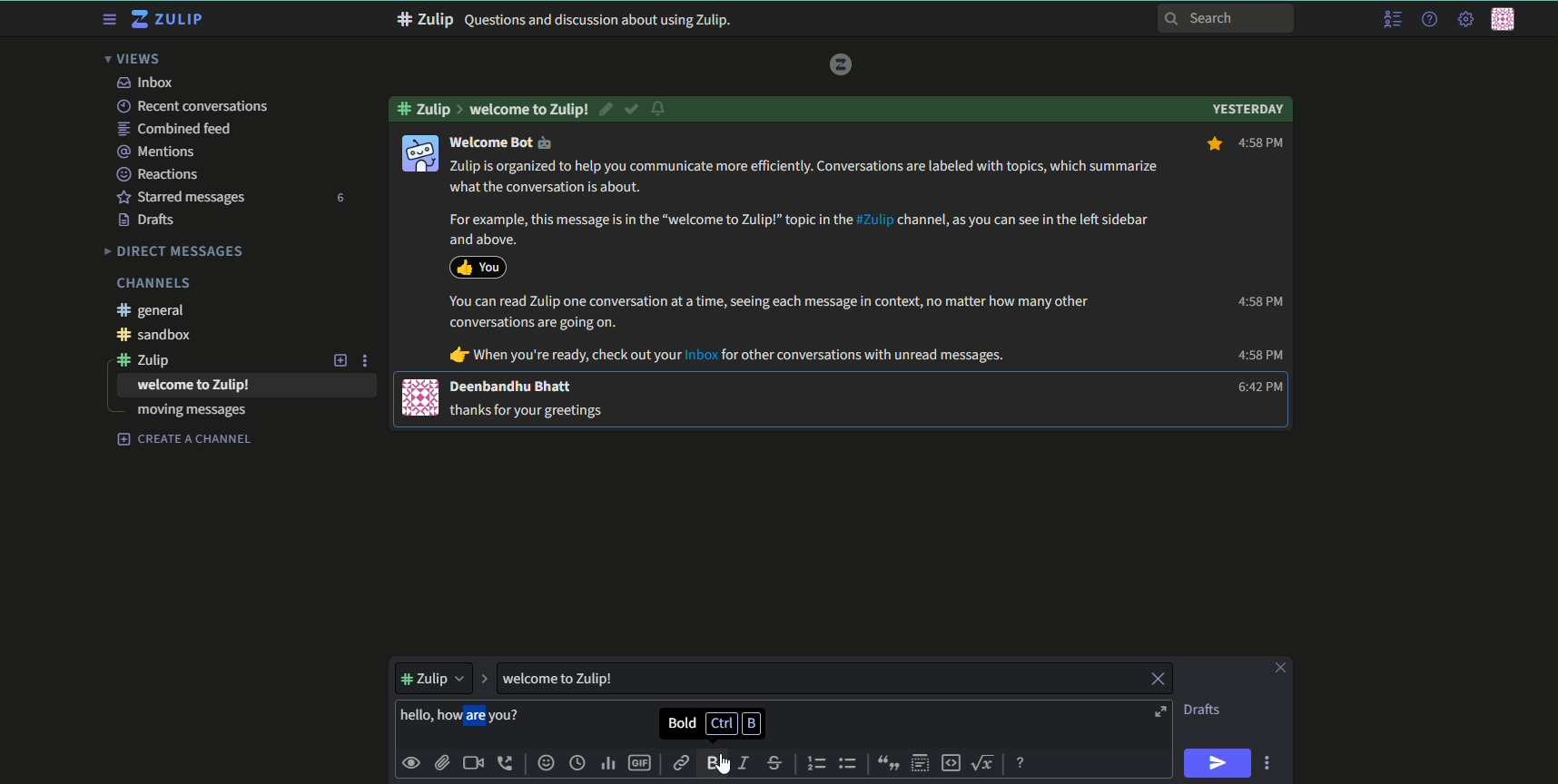 The image size is (1558, 784). I want to click on bold, so click(716, 764).